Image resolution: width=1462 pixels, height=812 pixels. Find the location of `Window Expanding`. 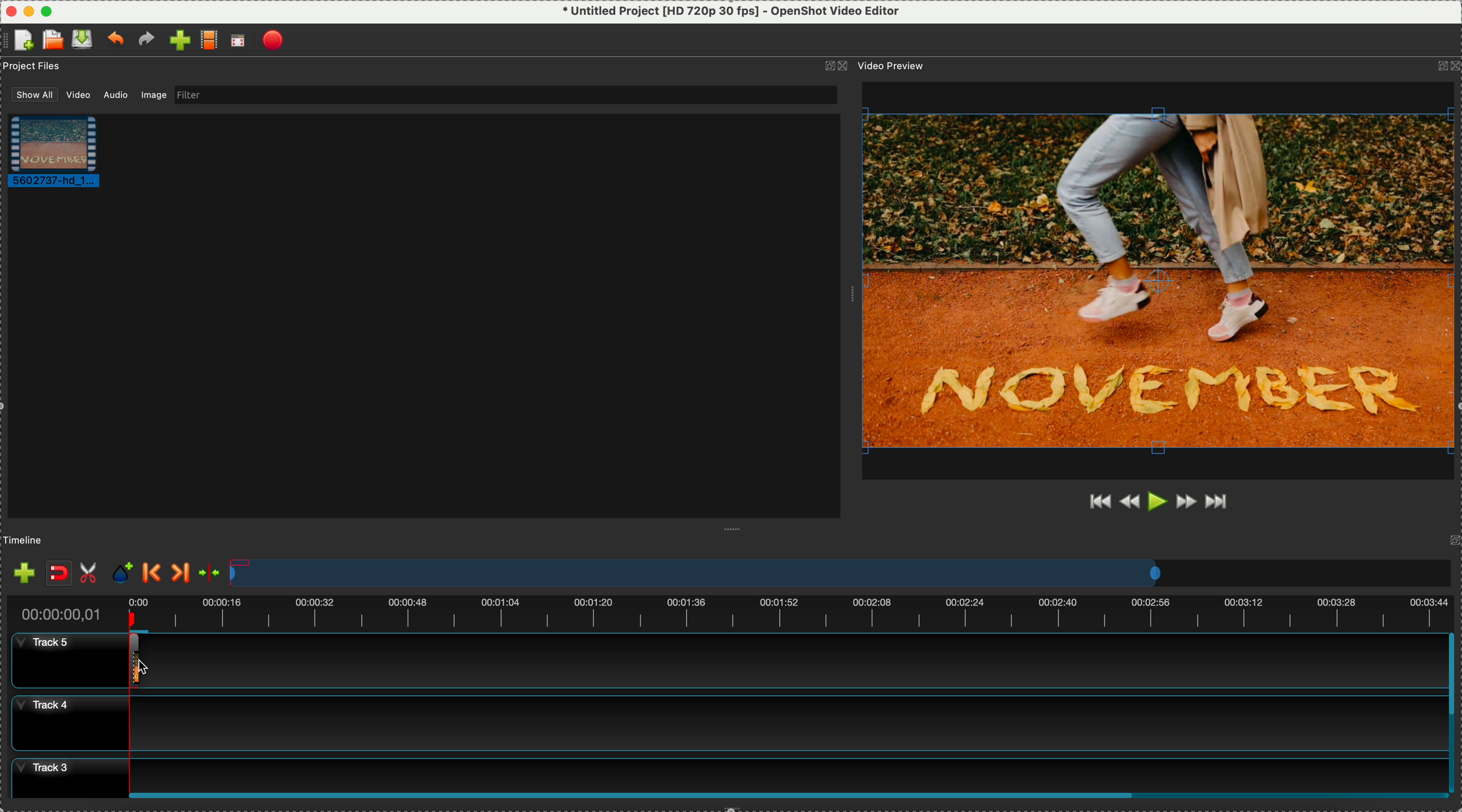

Window Expanding is located at coordinates (731, 529).